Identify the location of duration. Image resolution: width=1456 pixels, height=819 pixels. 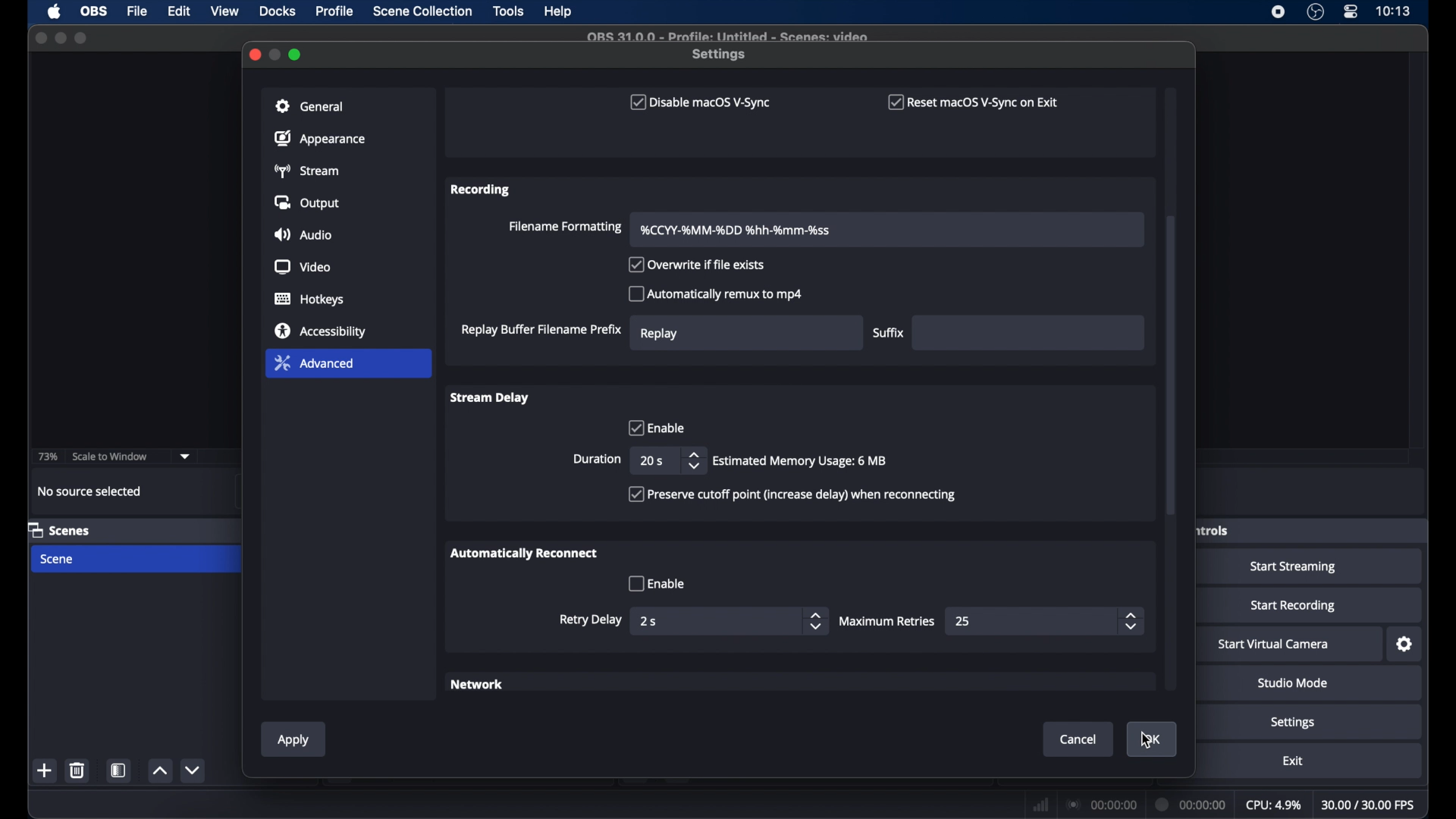
(1191, 803).